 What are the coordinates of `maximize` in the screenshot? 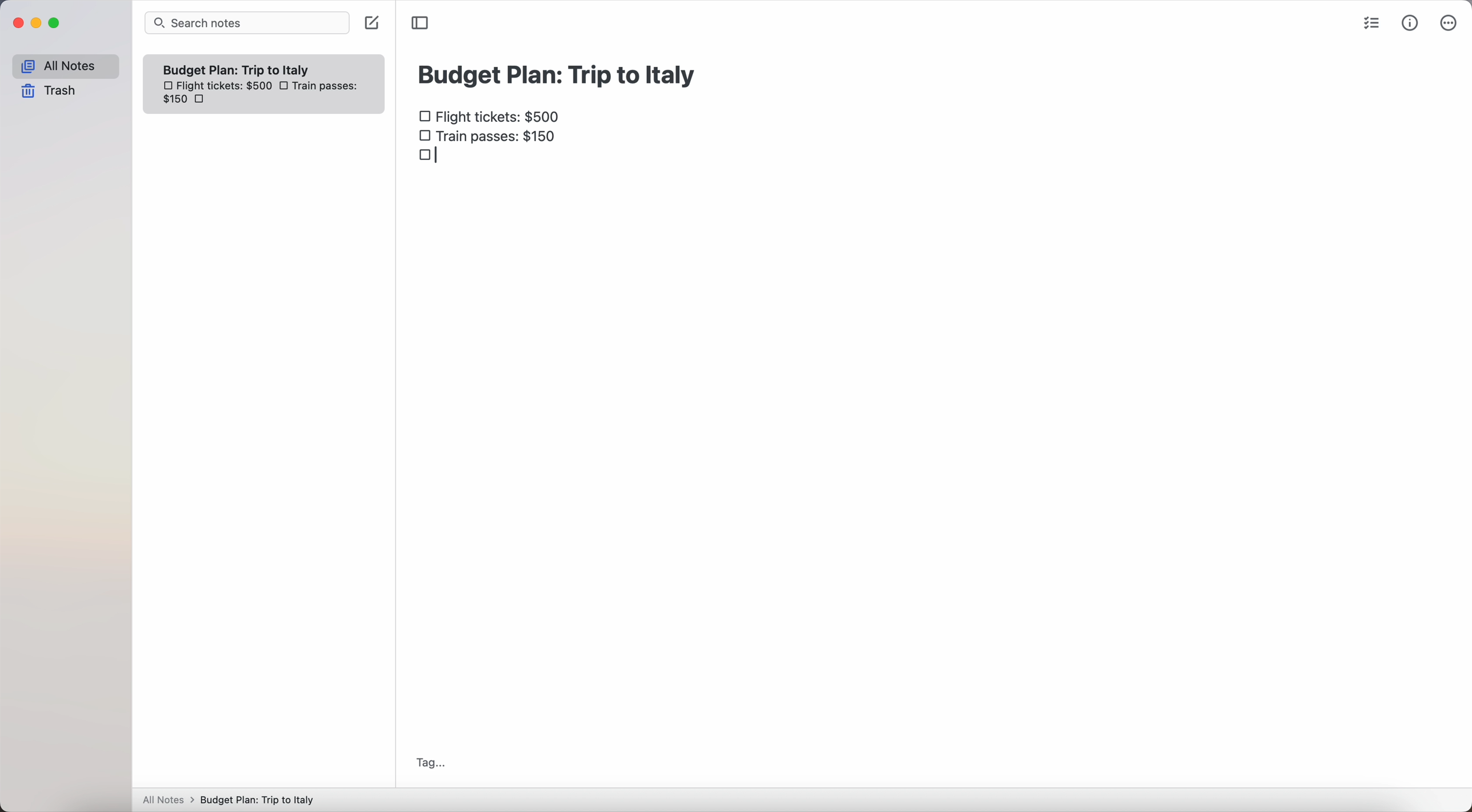 It's located at (57, 23).